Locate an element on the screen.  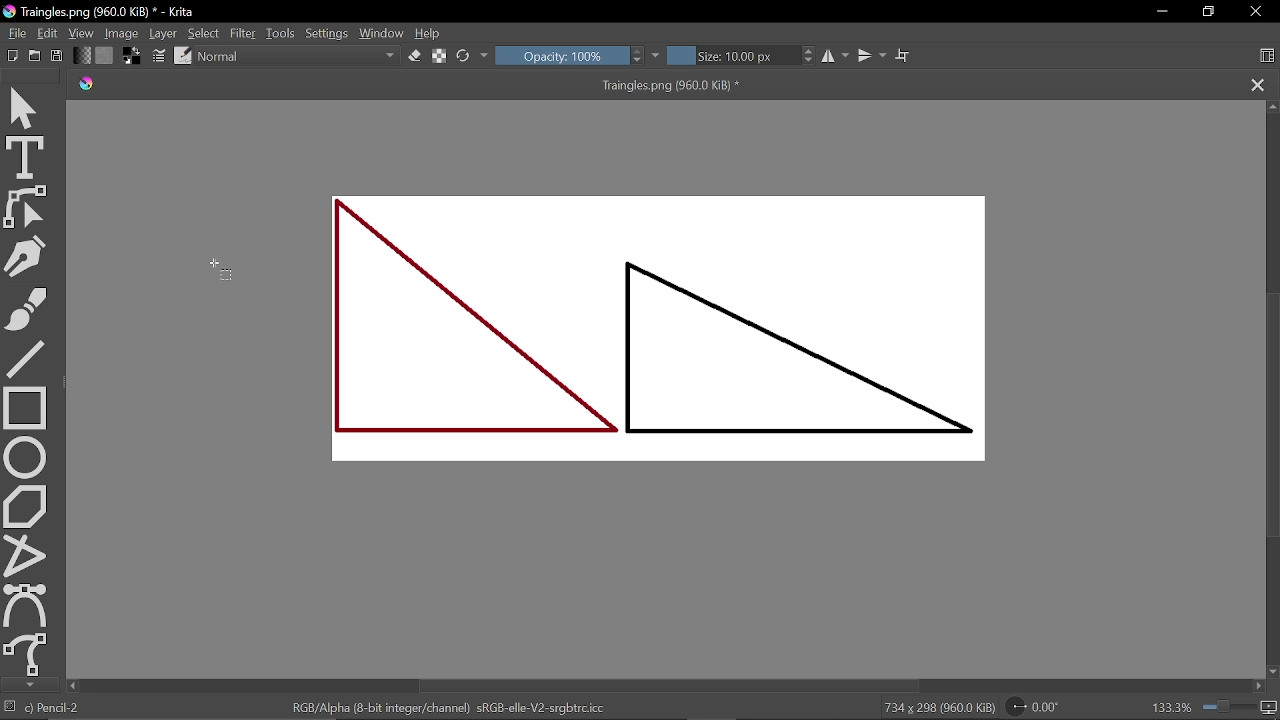
Vertical scrollbar is located at coordinates (1272, 420).